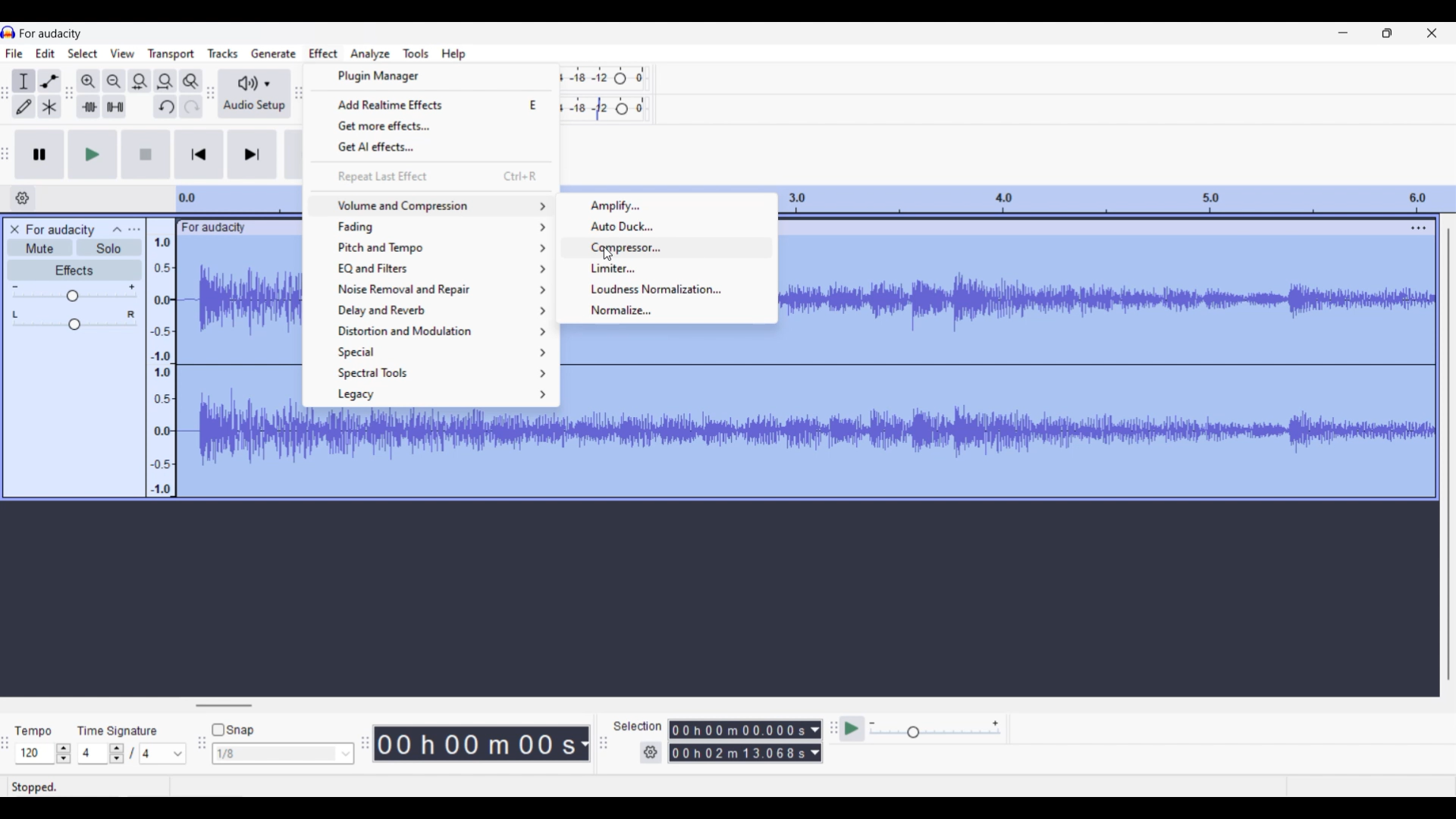 The image size is (1456, 819). Describe the element at coordinates (429, 206) in the screenshot. I see `Volume and compression` at that location.